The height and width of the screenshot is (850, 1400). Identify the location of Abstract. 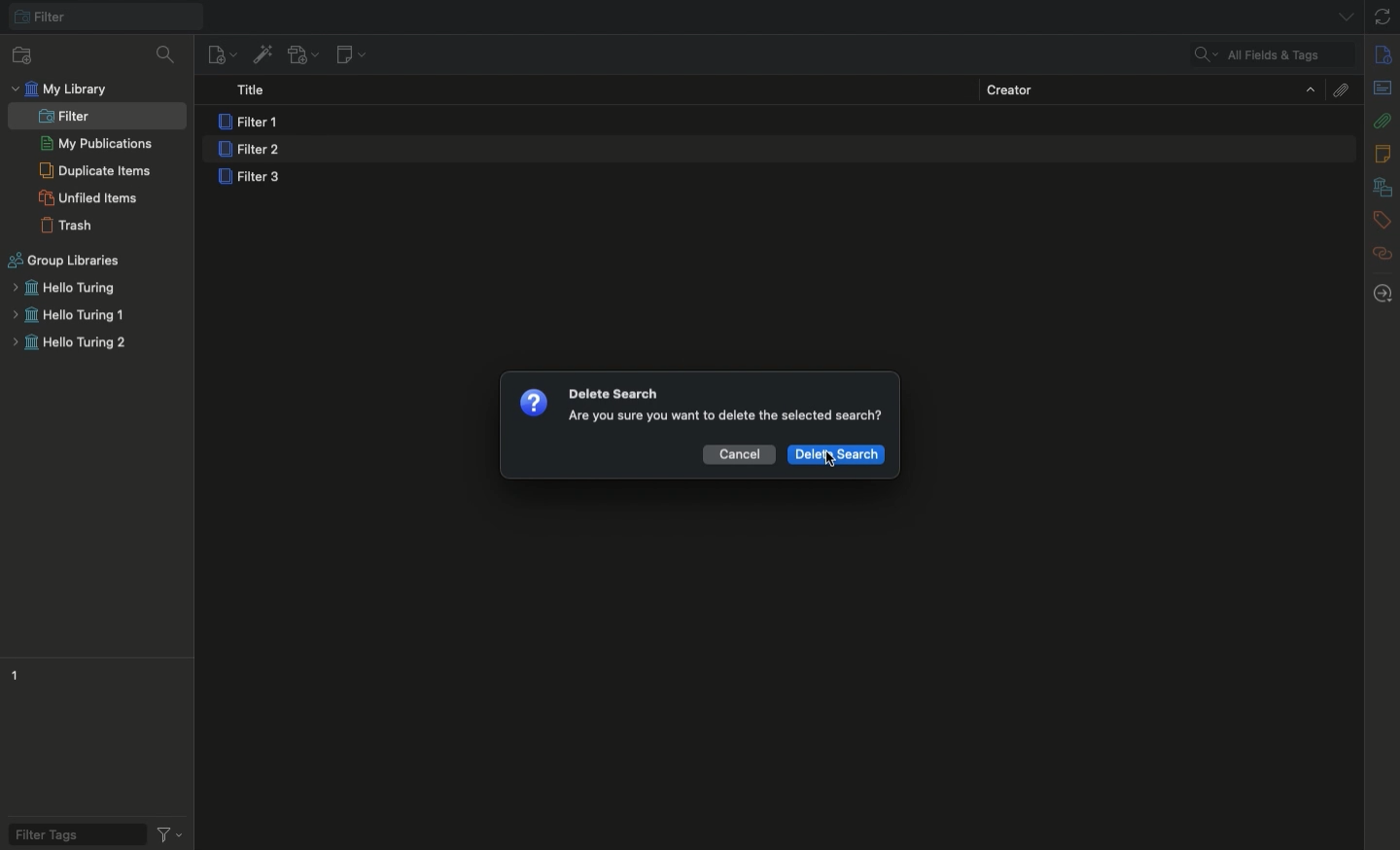
(1382, 89).